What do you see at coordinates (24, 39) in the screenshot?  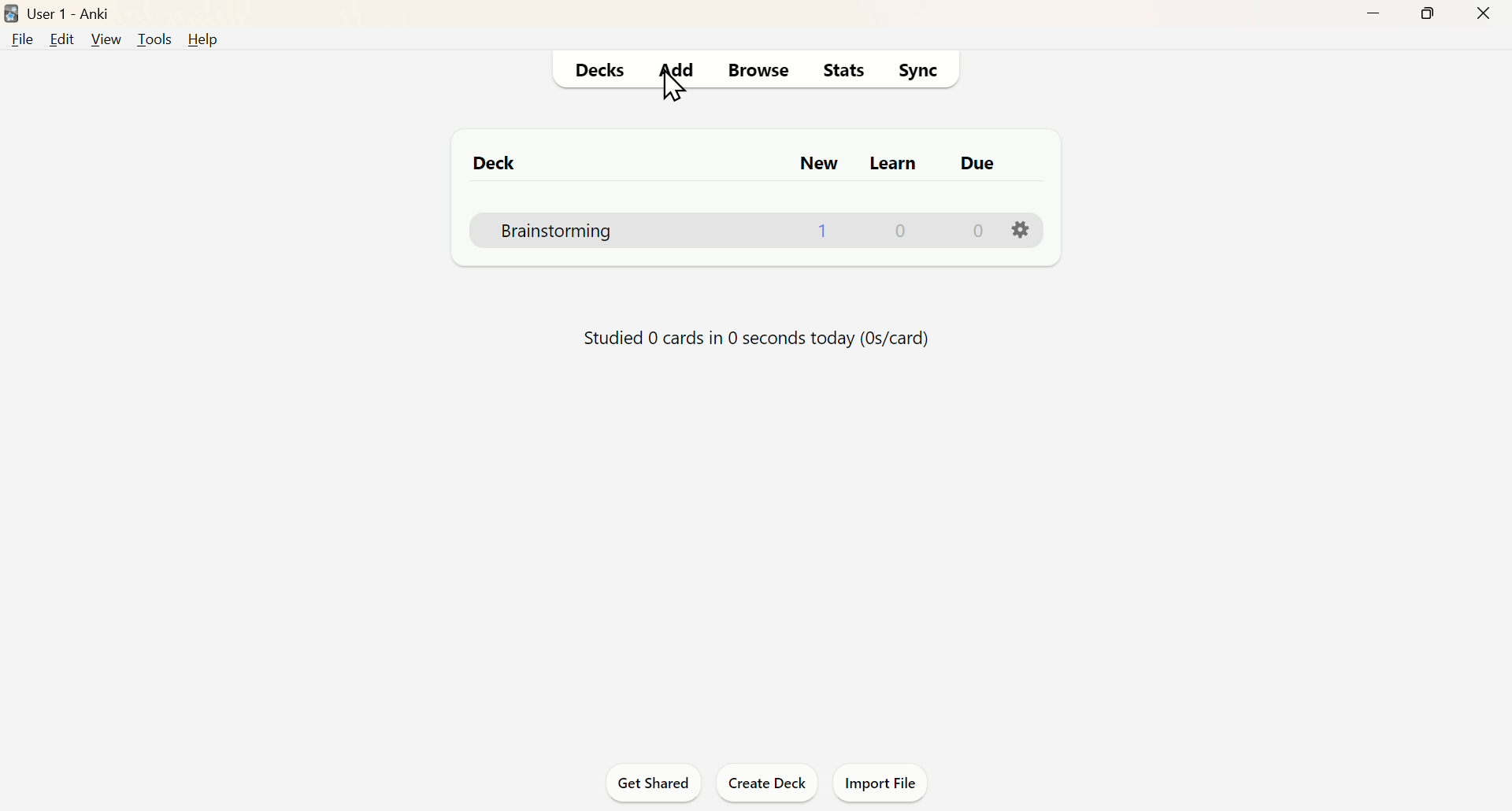 I see `` at bounding box center [24, 39].